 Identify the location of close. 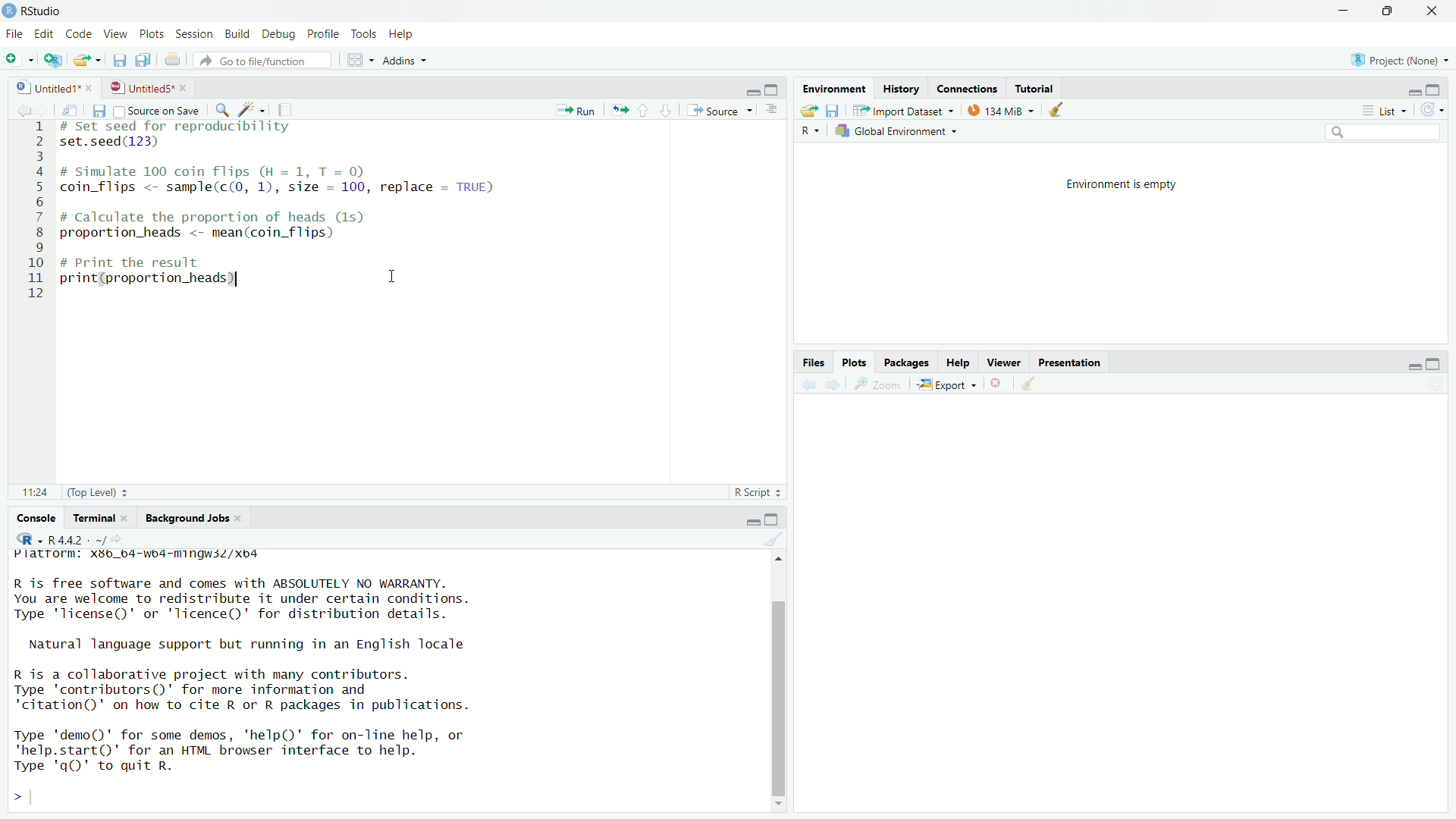
(185, 88).